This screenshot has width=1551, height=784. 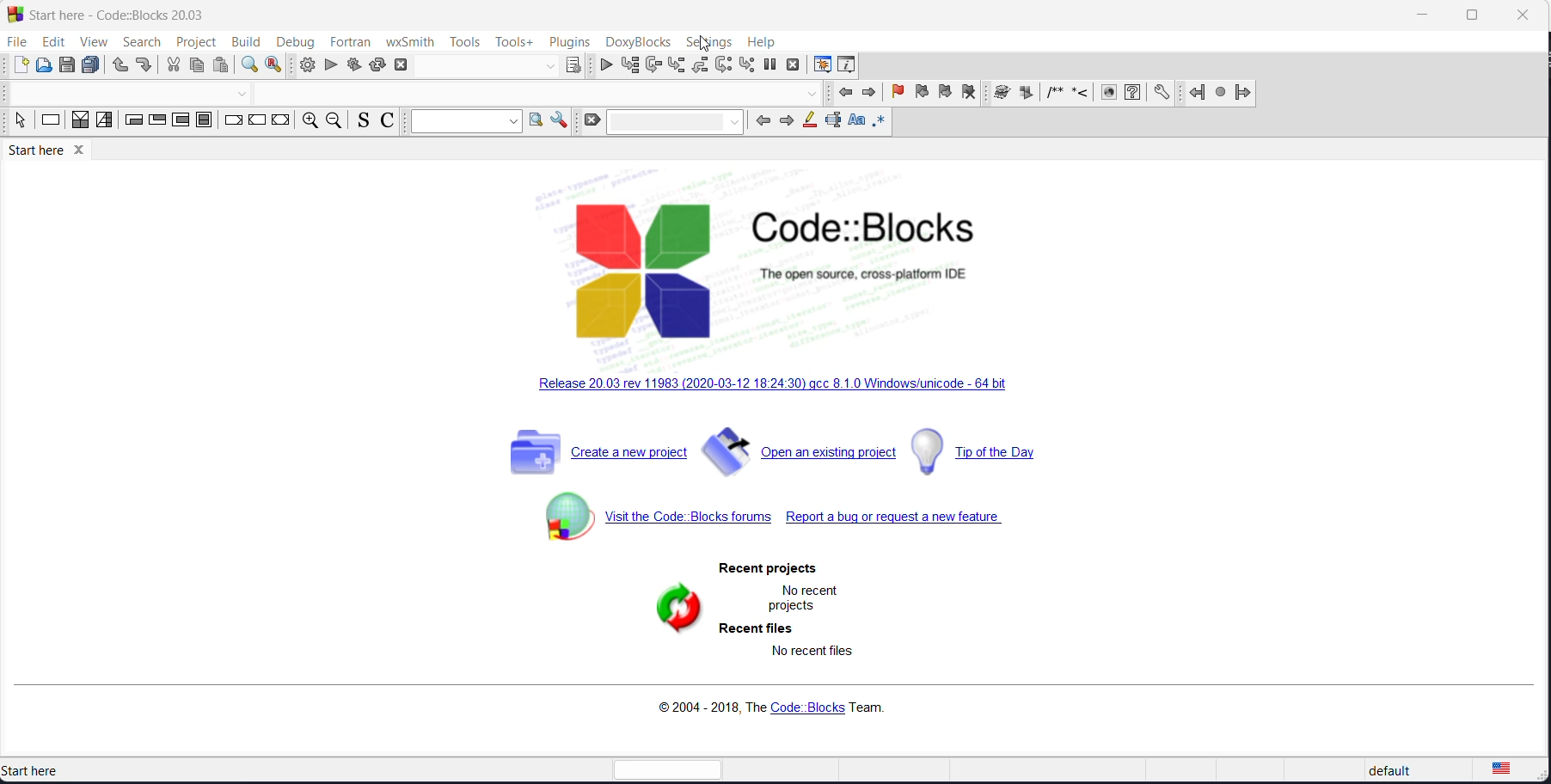 What do you see at coordinates (89, 40) in the screenshot?
I see `view` at bounding box center [89, 40].